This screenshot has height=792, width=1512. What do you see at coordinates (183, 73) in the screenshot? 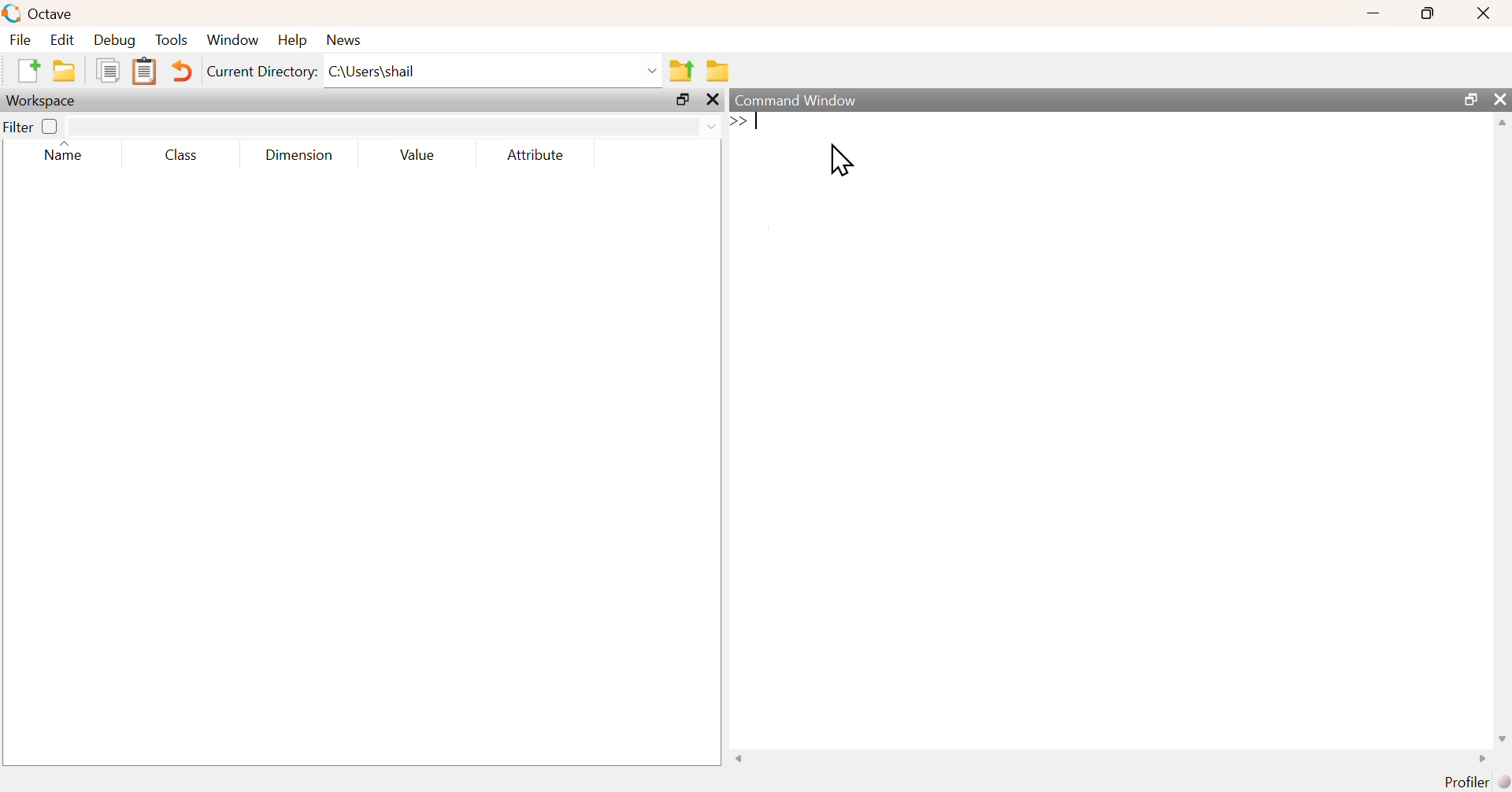
I see `Undo` at bounding box center [183, 73].